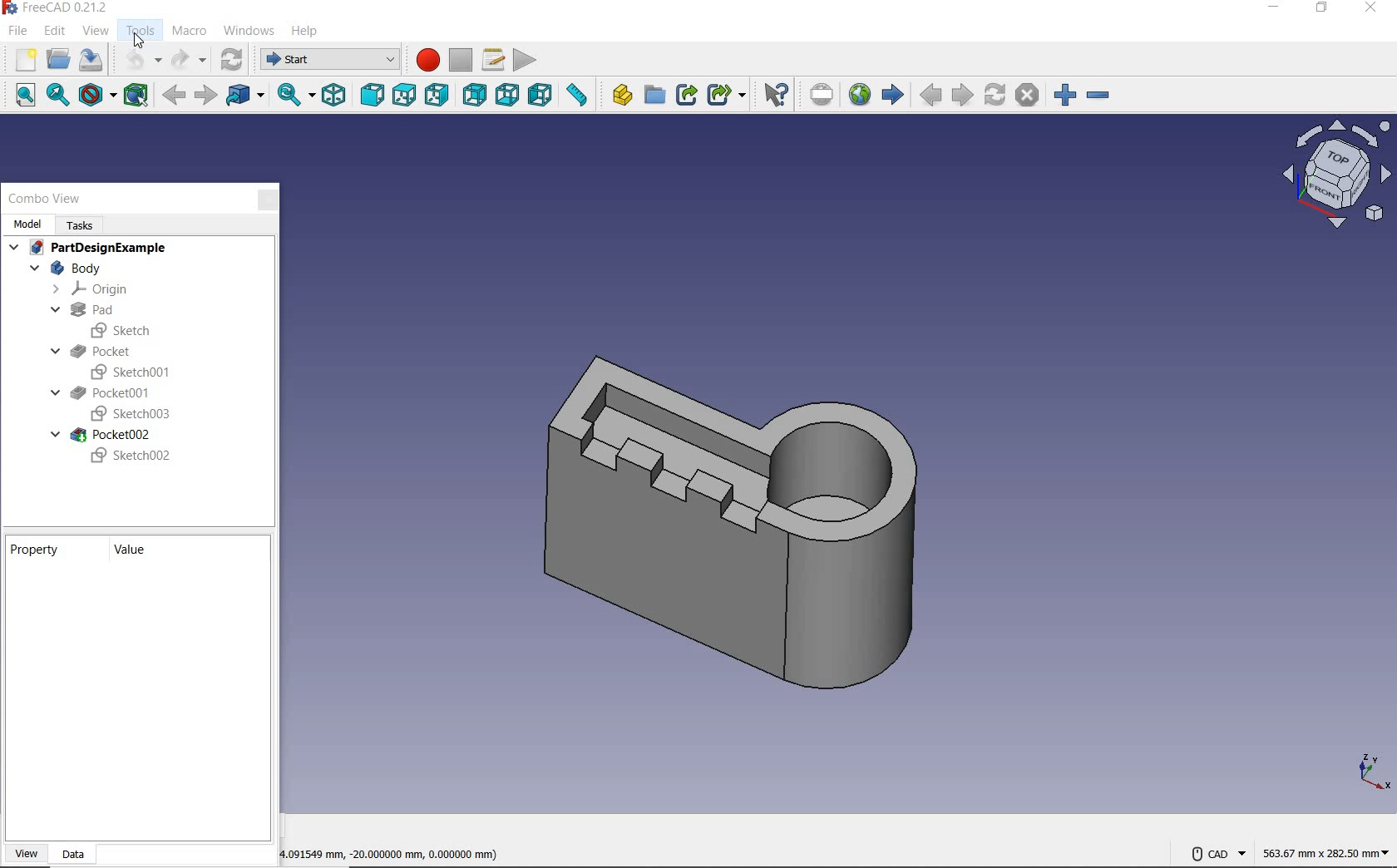  What do you see at coordinates (176, 96) in the screenshot?
I see `Back` at bounding box center [176, 96].